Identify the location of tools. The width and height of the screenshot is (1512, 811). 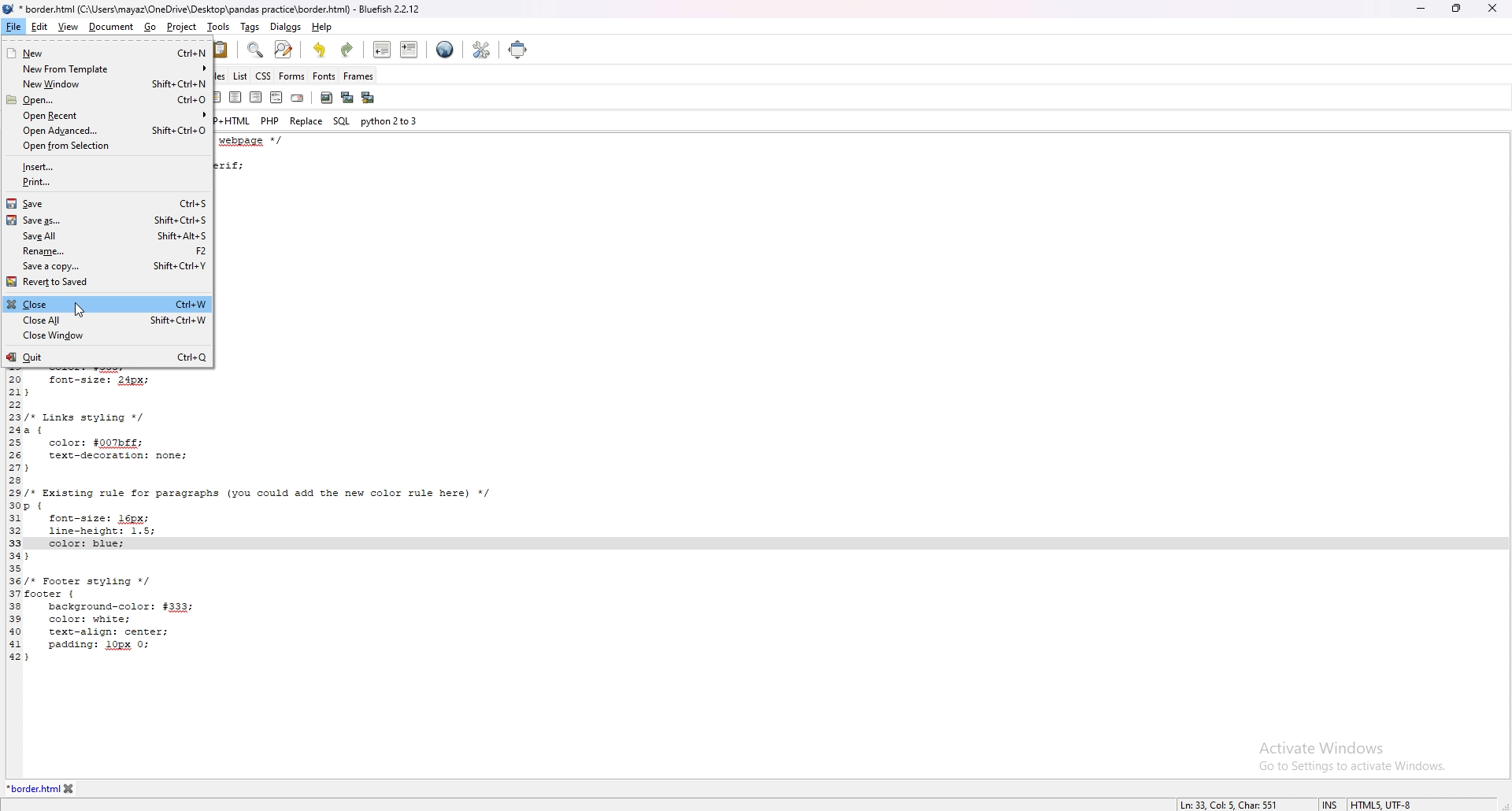
(218, 27).